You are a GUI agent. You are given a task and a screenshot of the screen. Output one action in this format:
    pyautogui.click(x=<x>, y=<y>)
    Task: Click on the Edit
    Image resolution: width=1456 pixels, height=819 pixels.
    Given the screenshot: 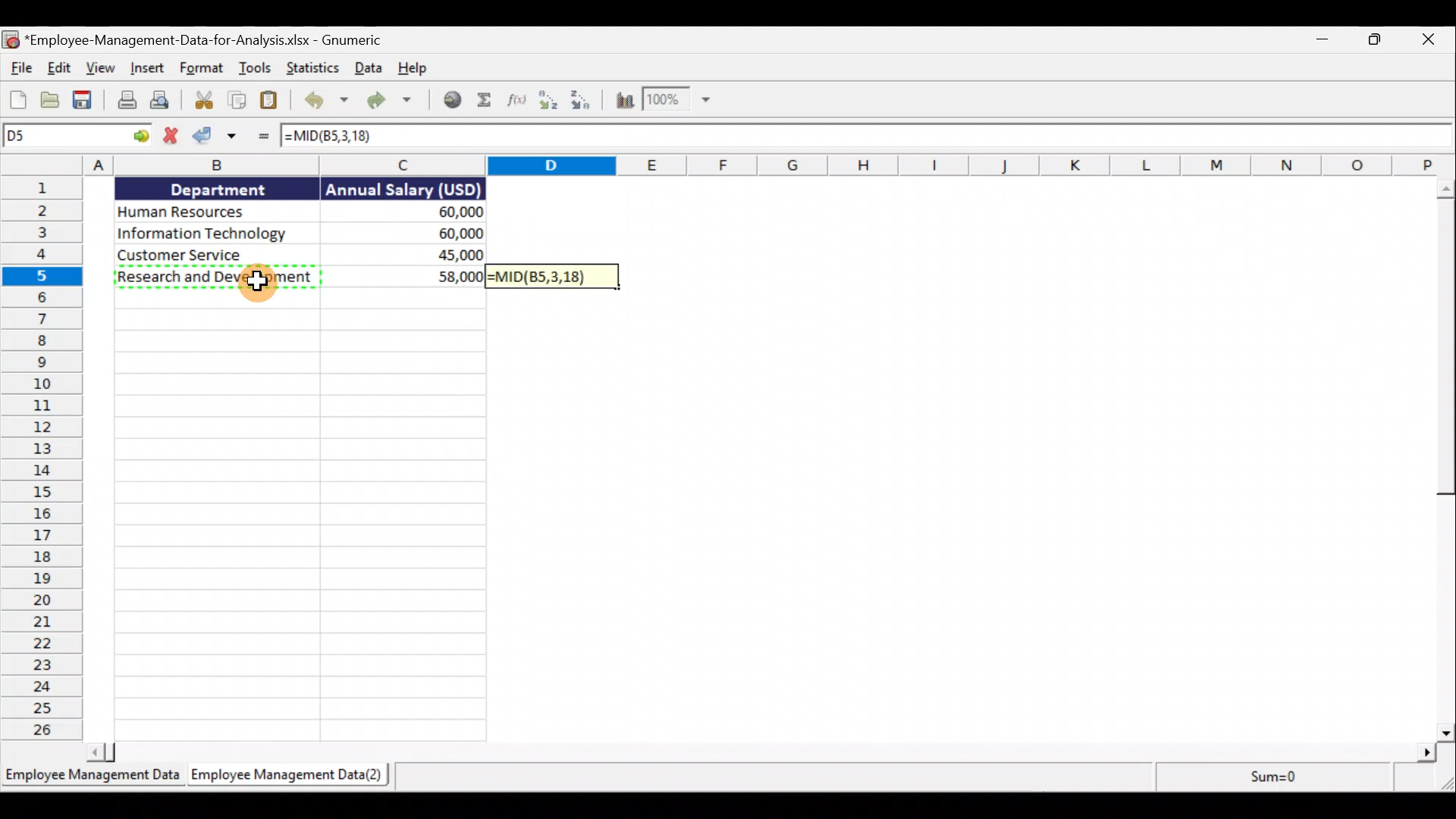 What is the action you would take?
    pyautogui.click(x=61, y=70)
    